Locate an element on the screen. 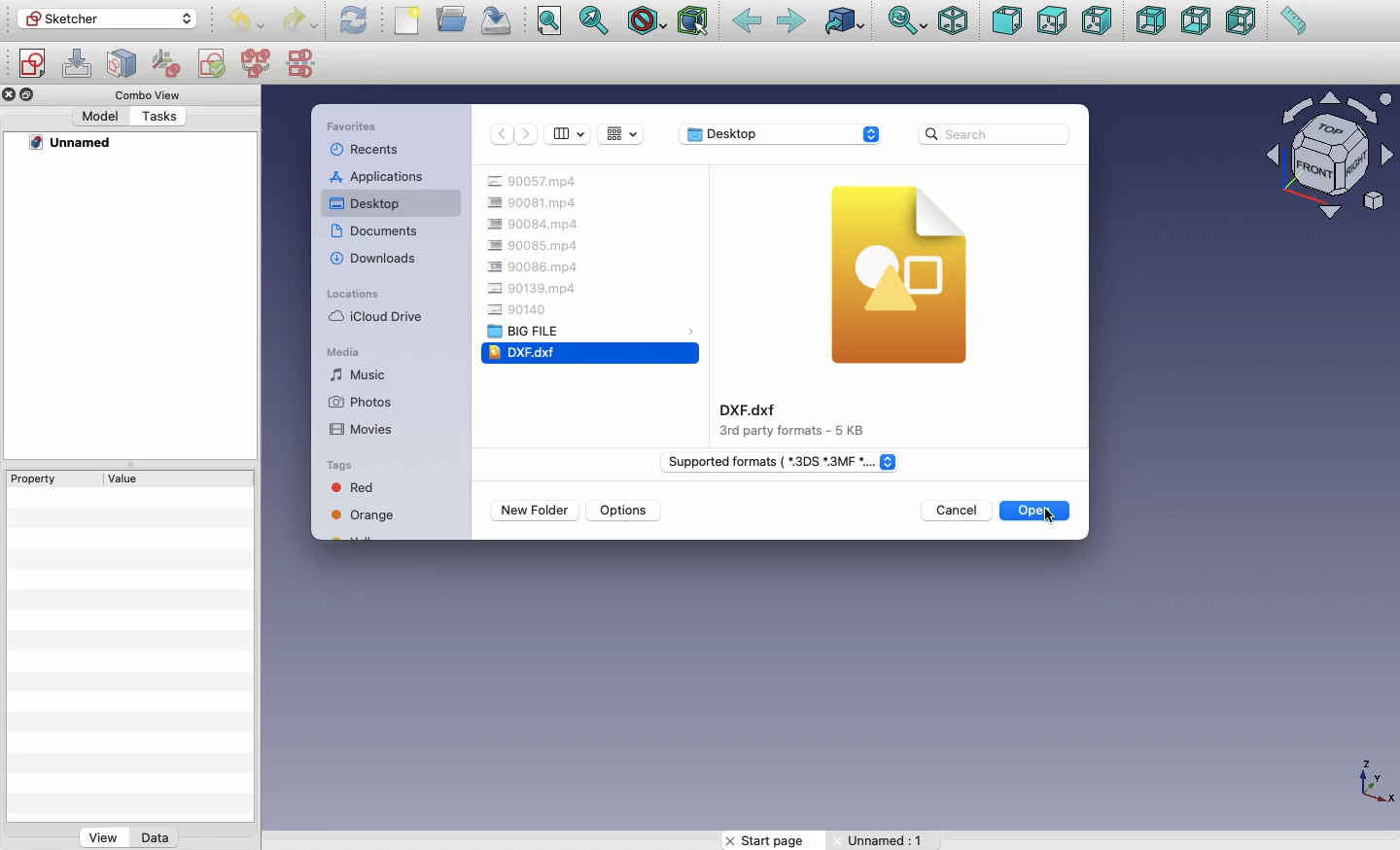   90140 is located at coordinates (519, 310).